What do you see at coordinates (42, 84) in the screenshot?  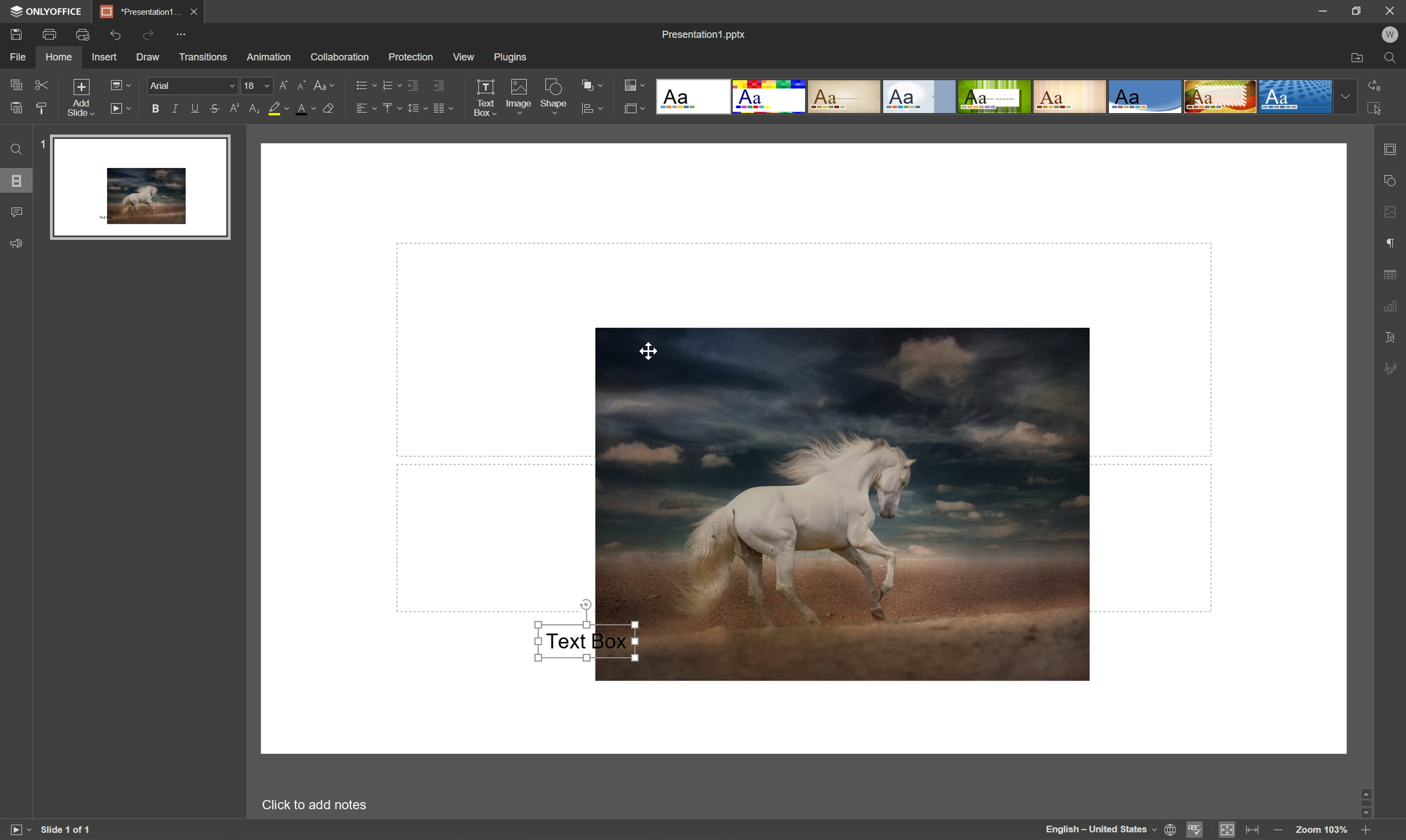 I see `Cut` at bounding box center [42, 84].